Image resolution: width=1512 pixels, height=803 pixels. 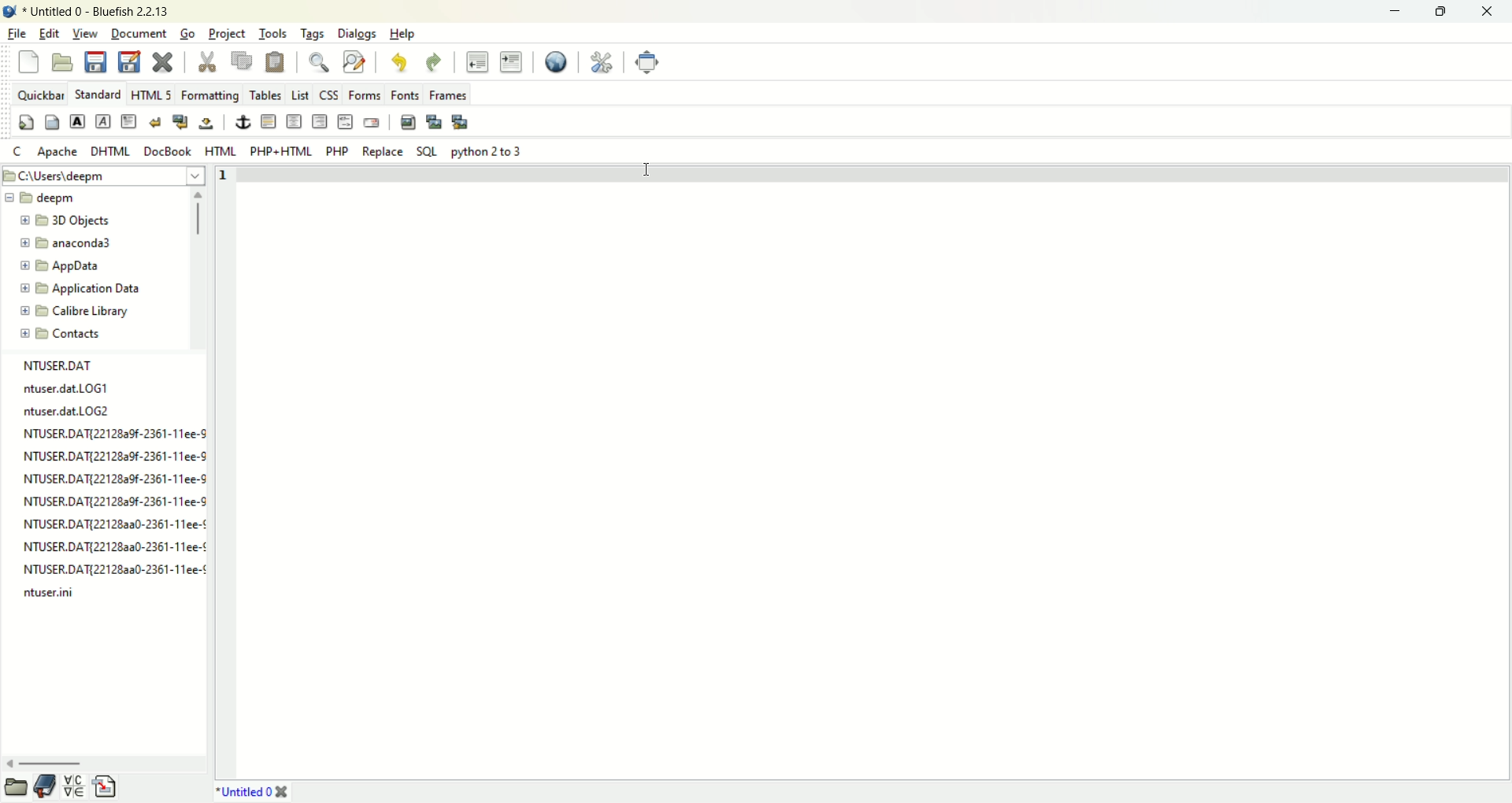 What do you see at coordinates (434, 123) in the screenshot?
I see `insert thumbnail` at bounding box center [434, 123].